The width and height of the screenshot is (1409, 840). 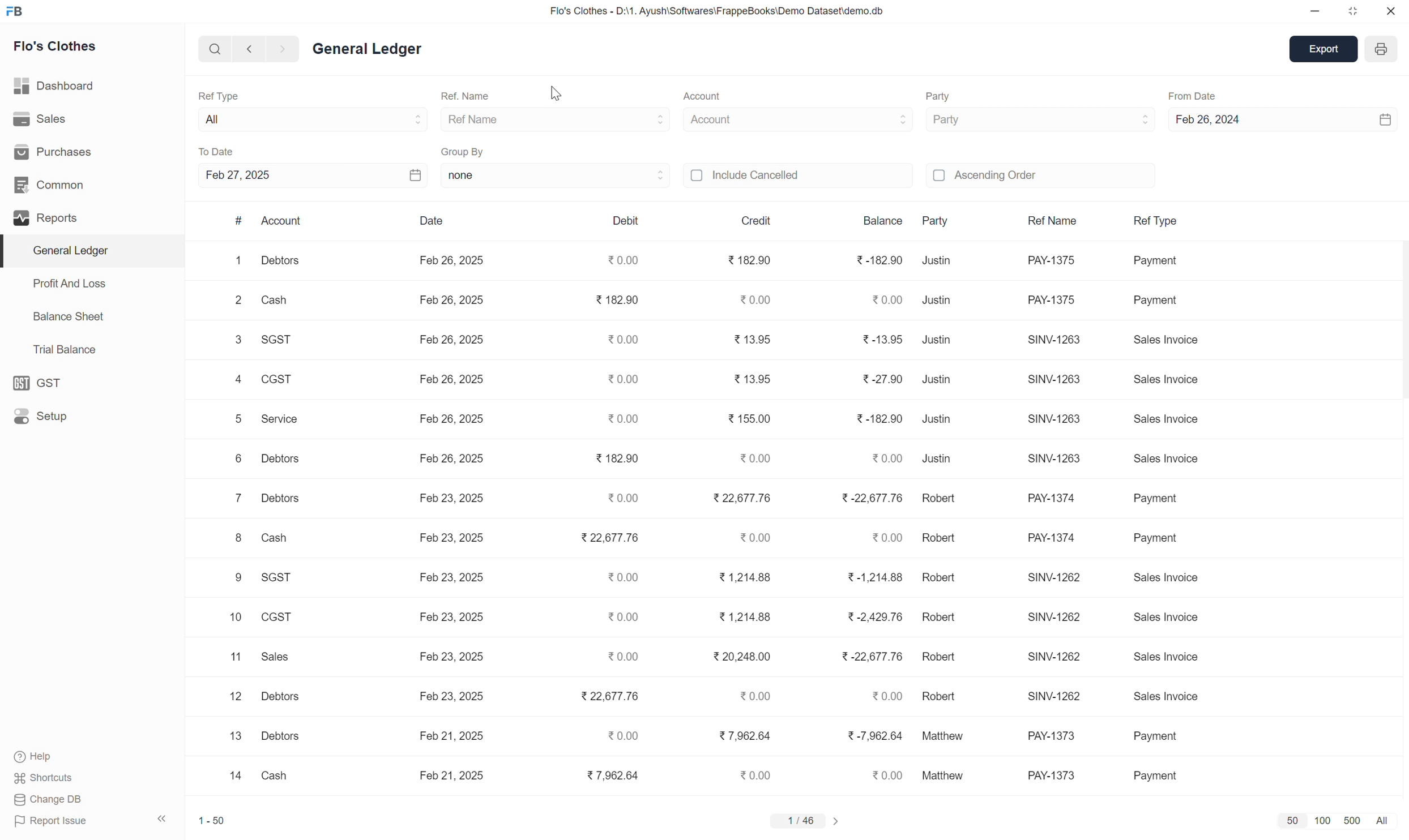 I want to click on SINV-1263, so click(x=1054, y=459).